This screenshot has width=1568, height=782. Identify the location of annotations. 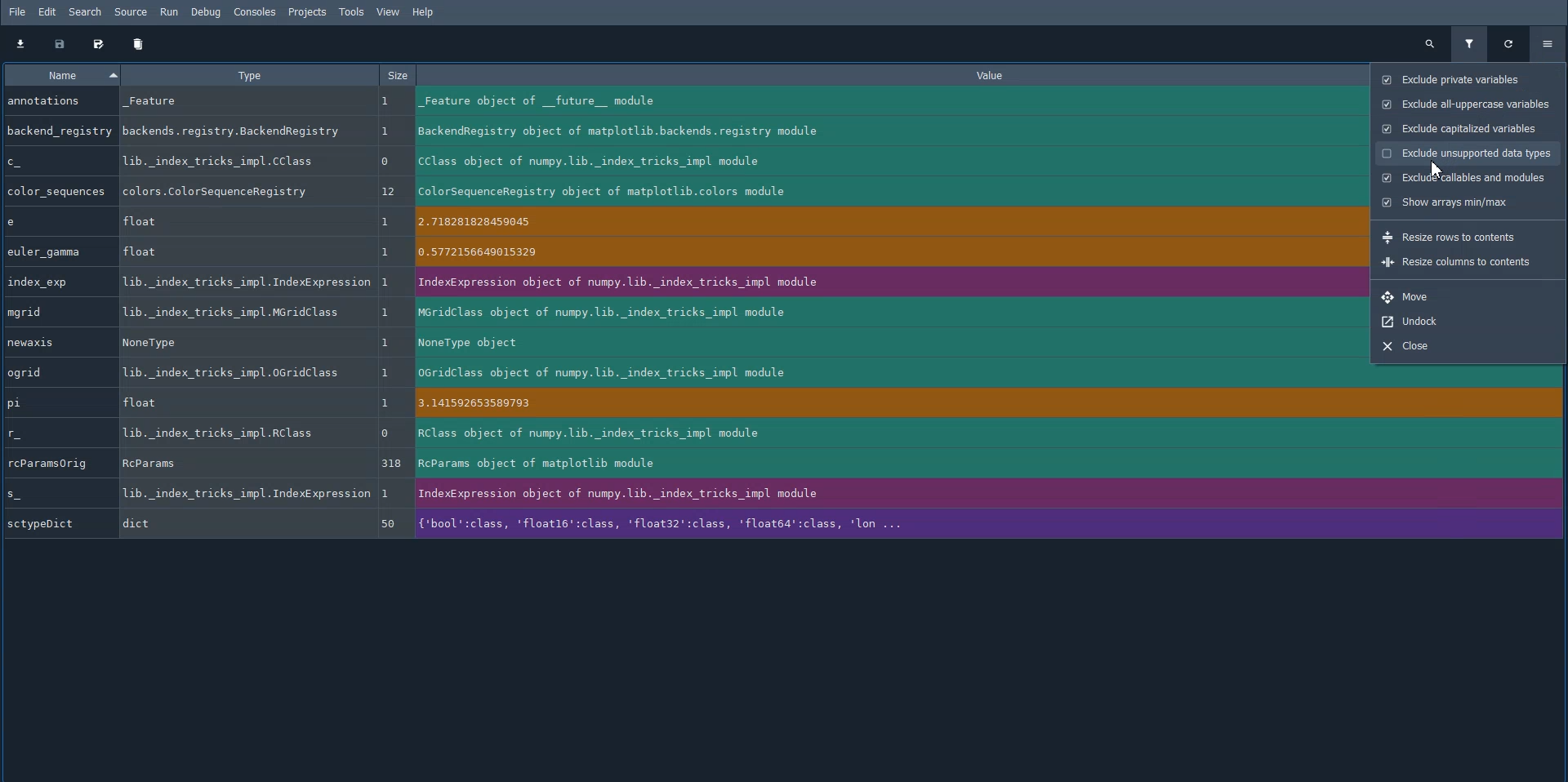
(56, 100).